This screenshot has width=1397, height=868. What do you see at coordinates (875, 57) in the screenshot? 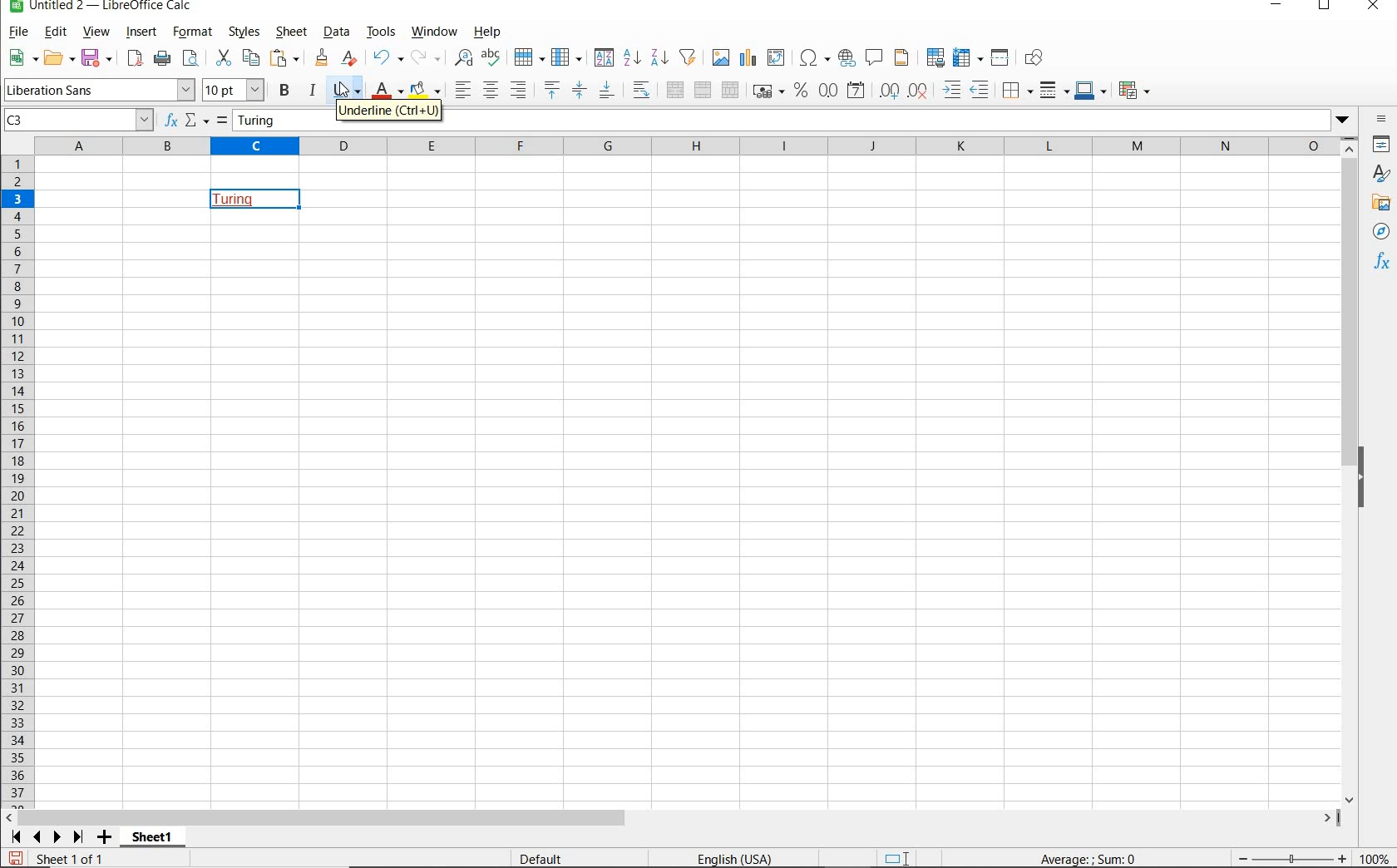
I see `INSERT COMMENT` at bounding box center [875, 57].